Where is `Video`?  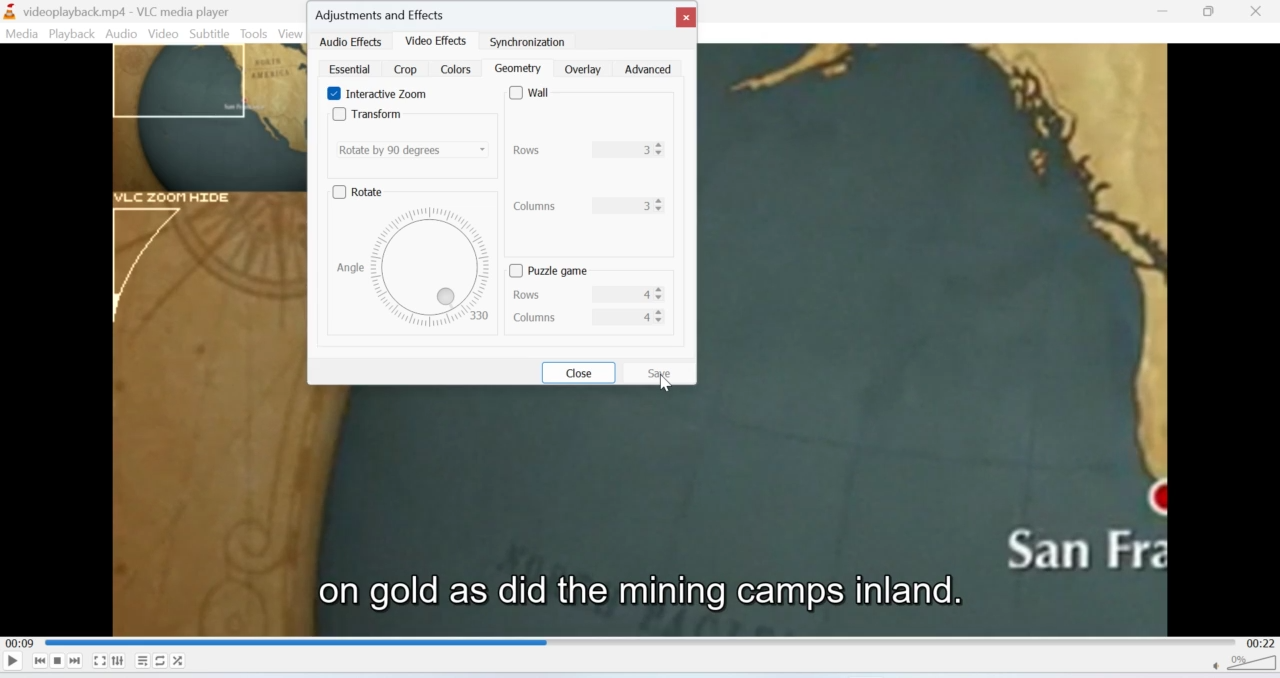
Video is located at coordinates (161, 34).